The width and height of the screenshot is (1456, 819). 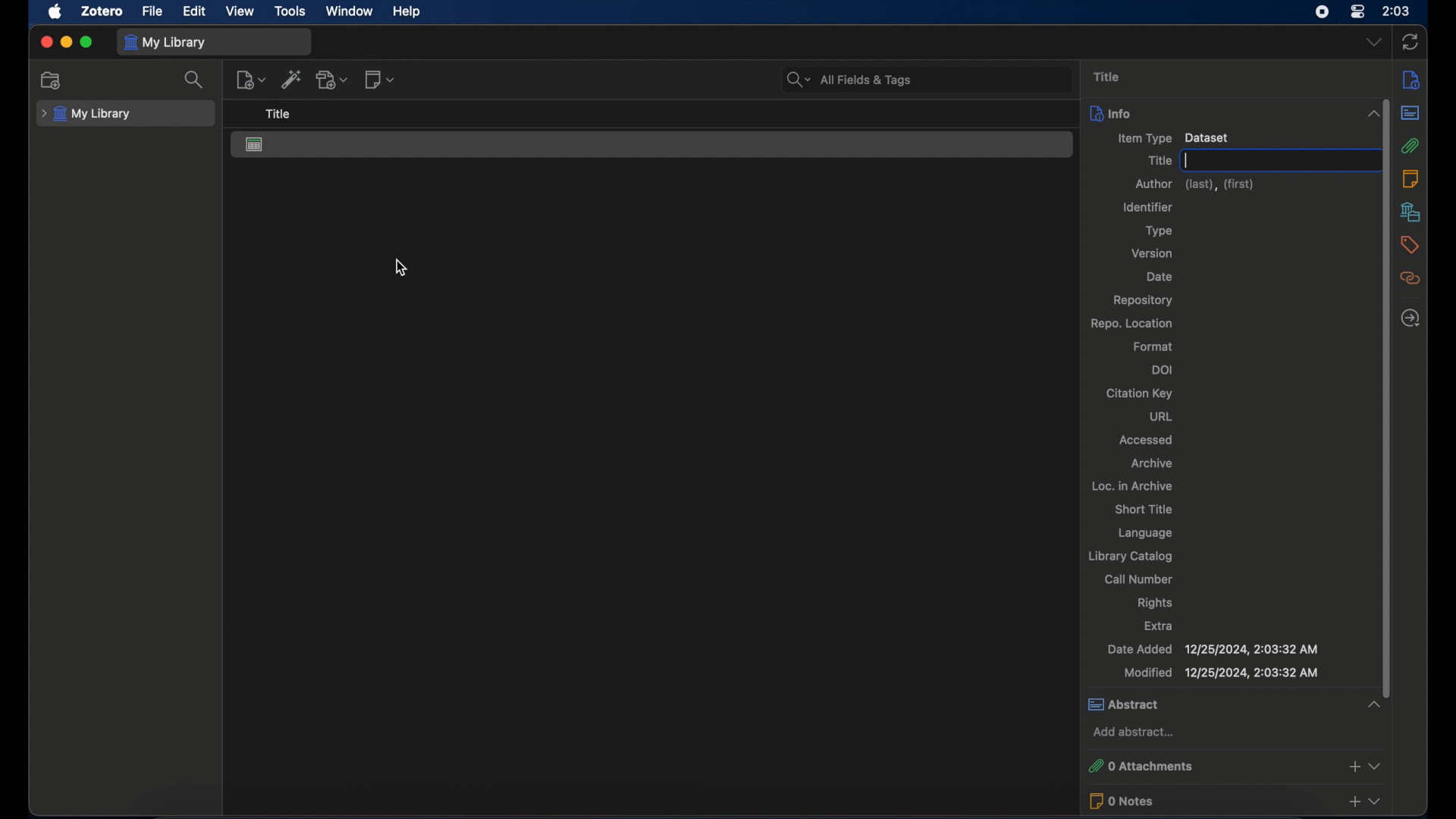 What do you see at coordinates (1133, 487) in the screenshot?
I see `loc. in archive` at bounding box center [1133, 487].